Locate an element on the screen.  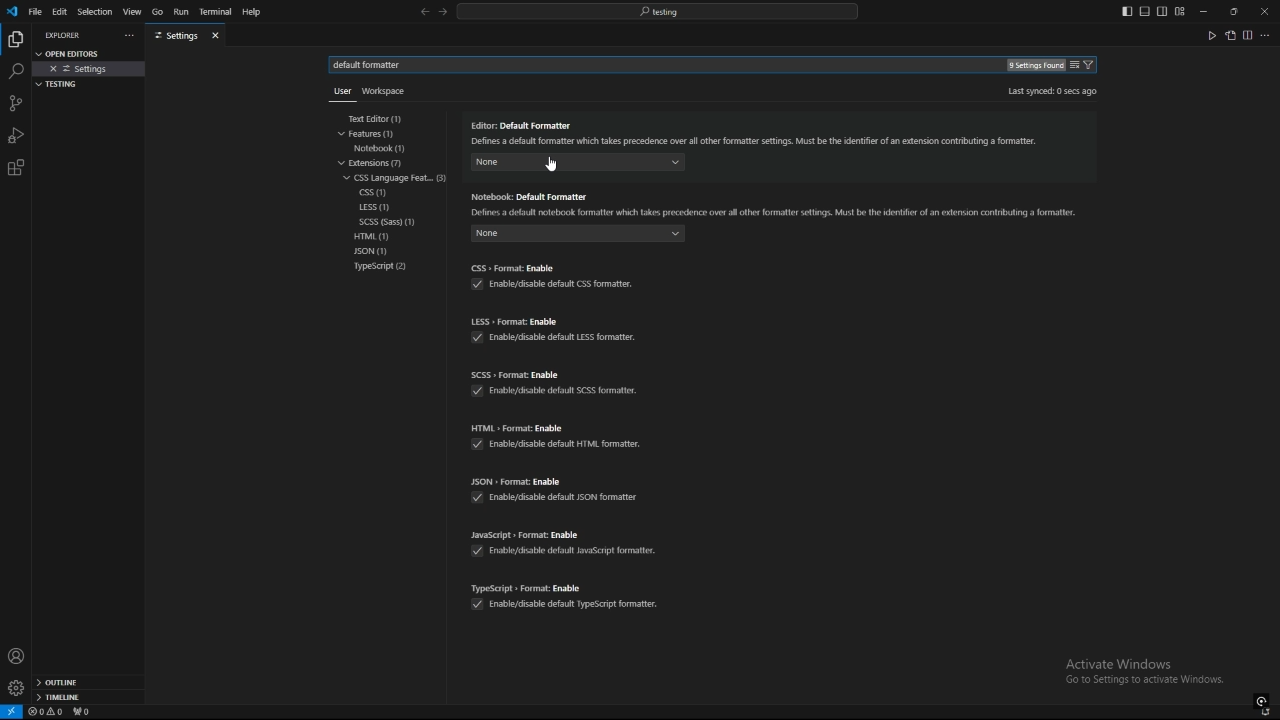
help is located at coordinates (257, 12).